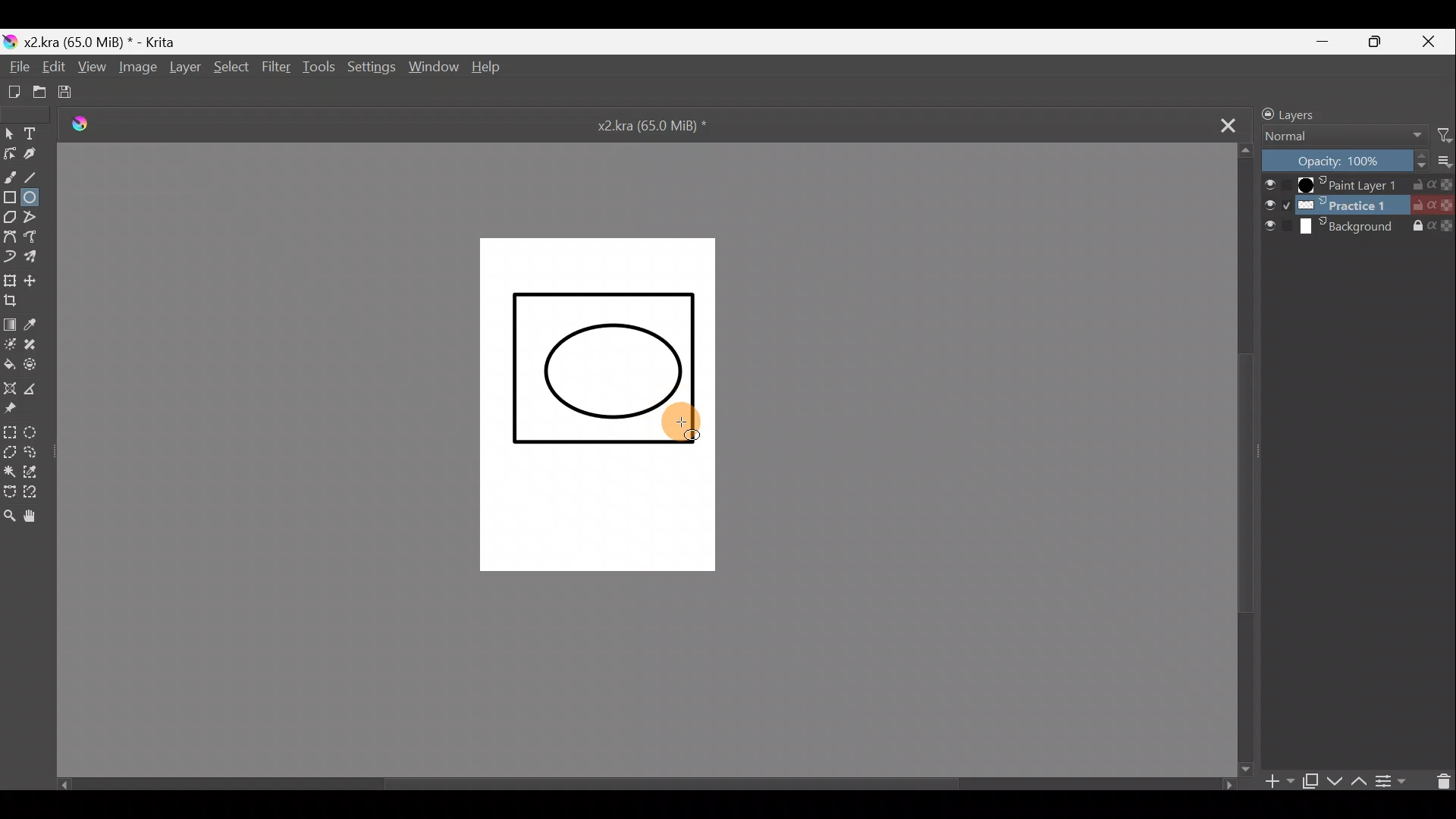 This screenshot has width=1456, height=819. What do you see at coordinates (1361, 231) in the screenshot?
I see `Background` at bounding box center [1361, 231].